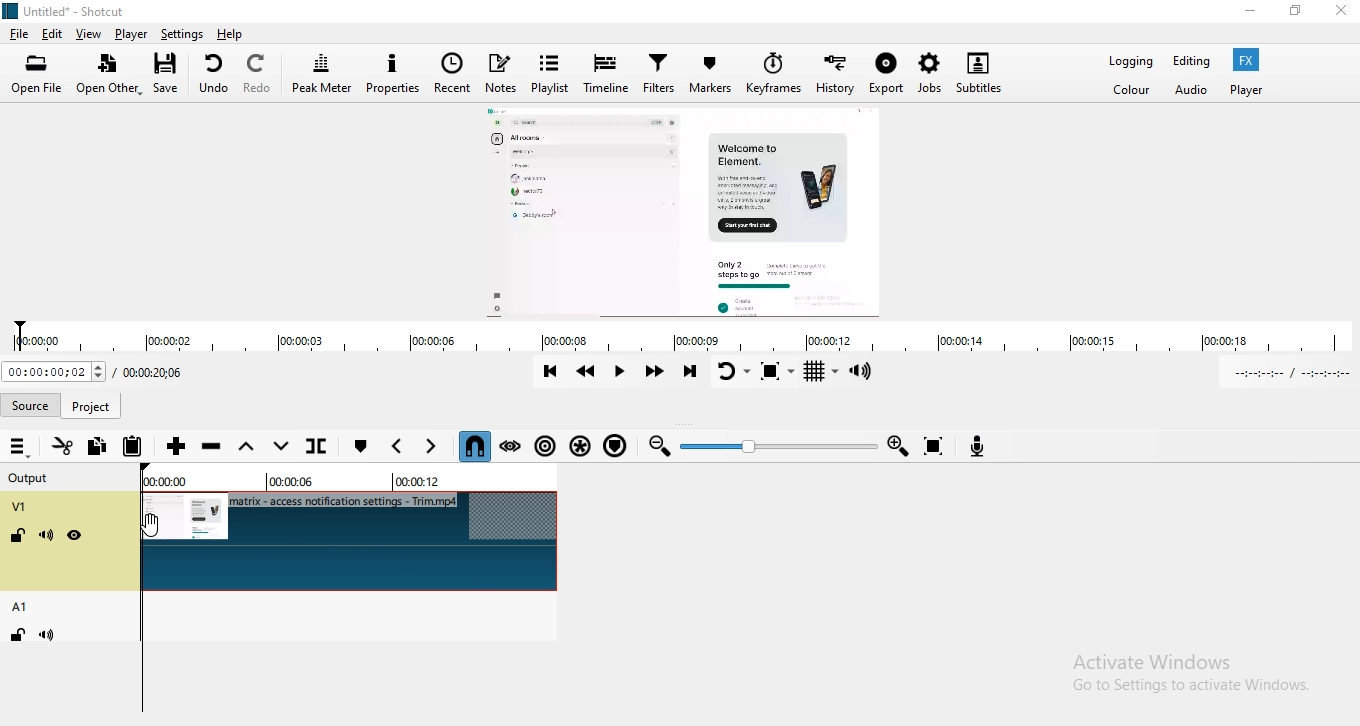 This screenshot has height=726, width=1360. I want to click on Skip to previous, so click(547, 373).